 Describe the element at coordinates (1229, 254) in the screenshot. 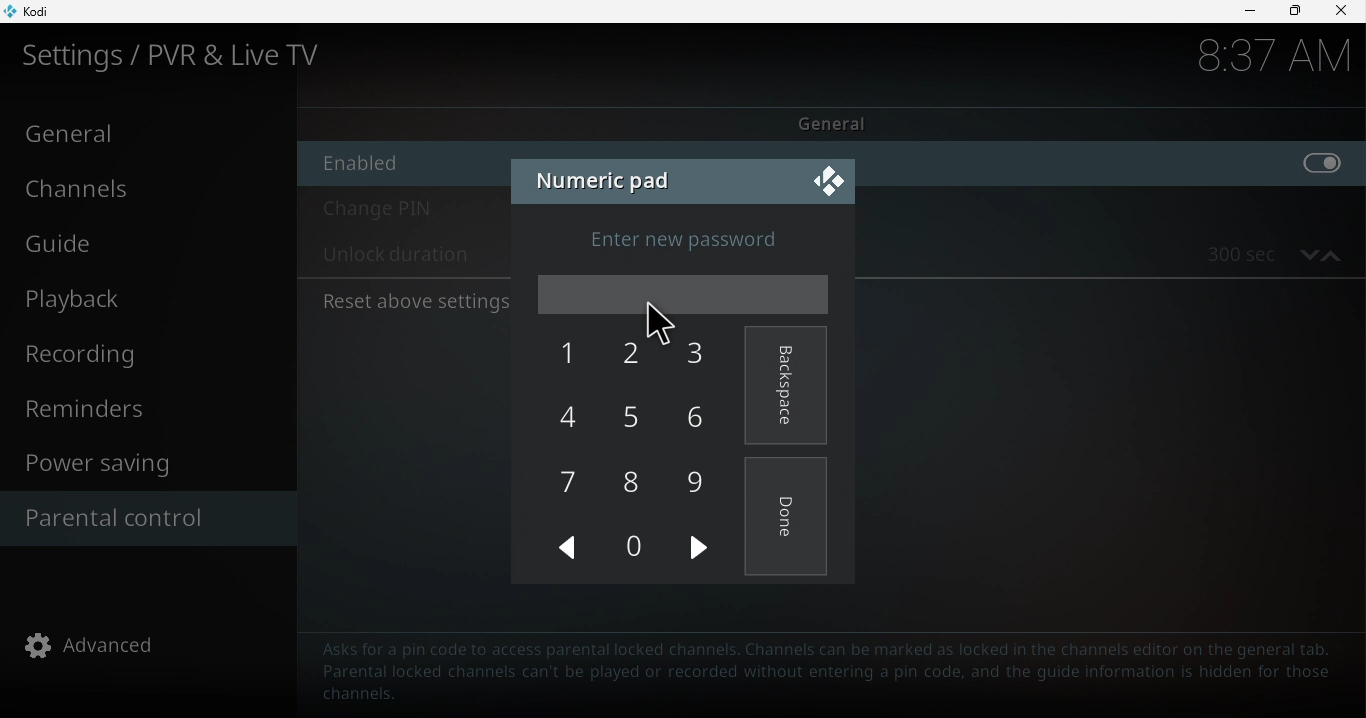

I see `300 sec` at that location.